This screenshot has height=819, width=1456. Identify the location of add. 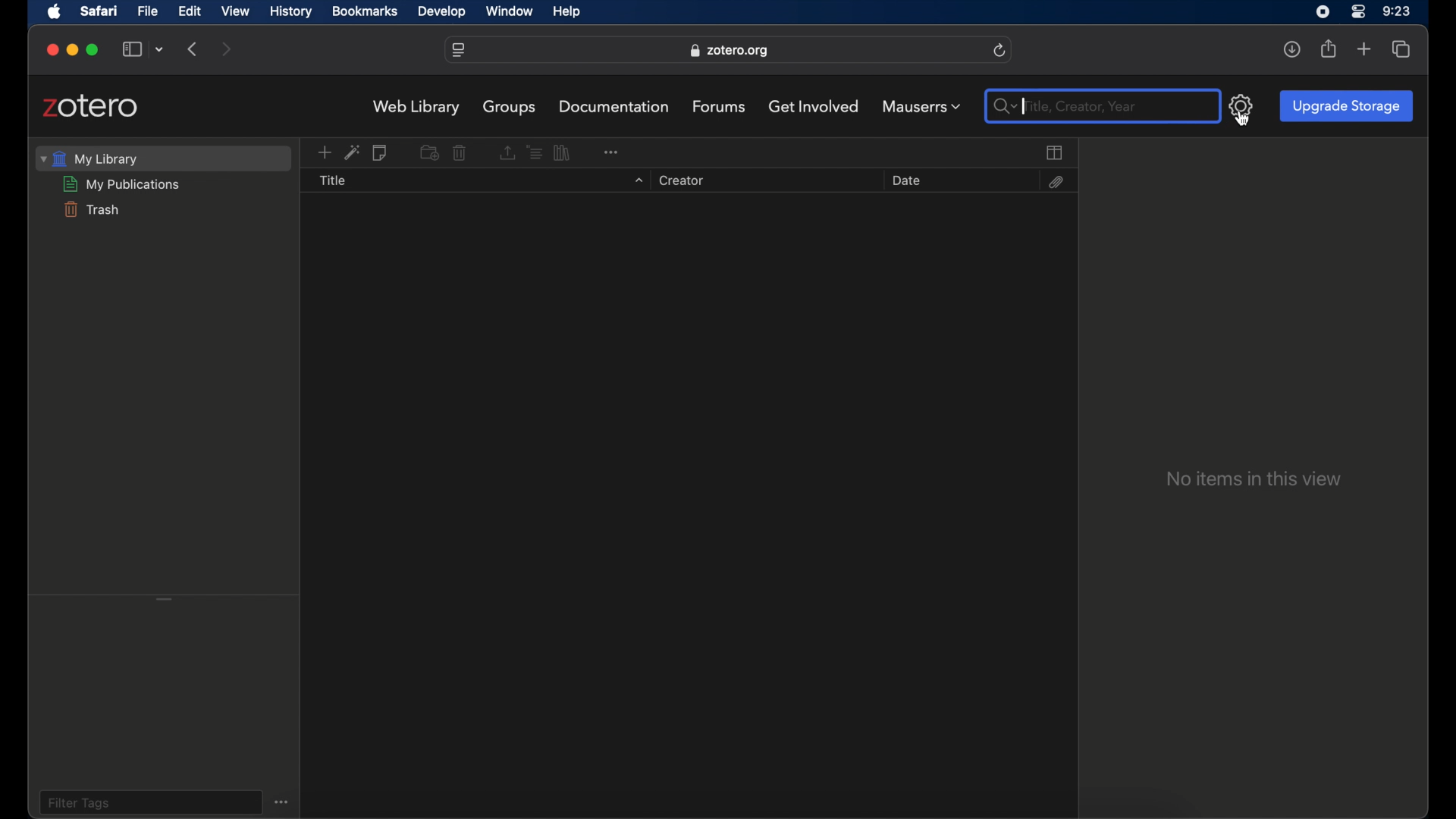
(1364, 50).